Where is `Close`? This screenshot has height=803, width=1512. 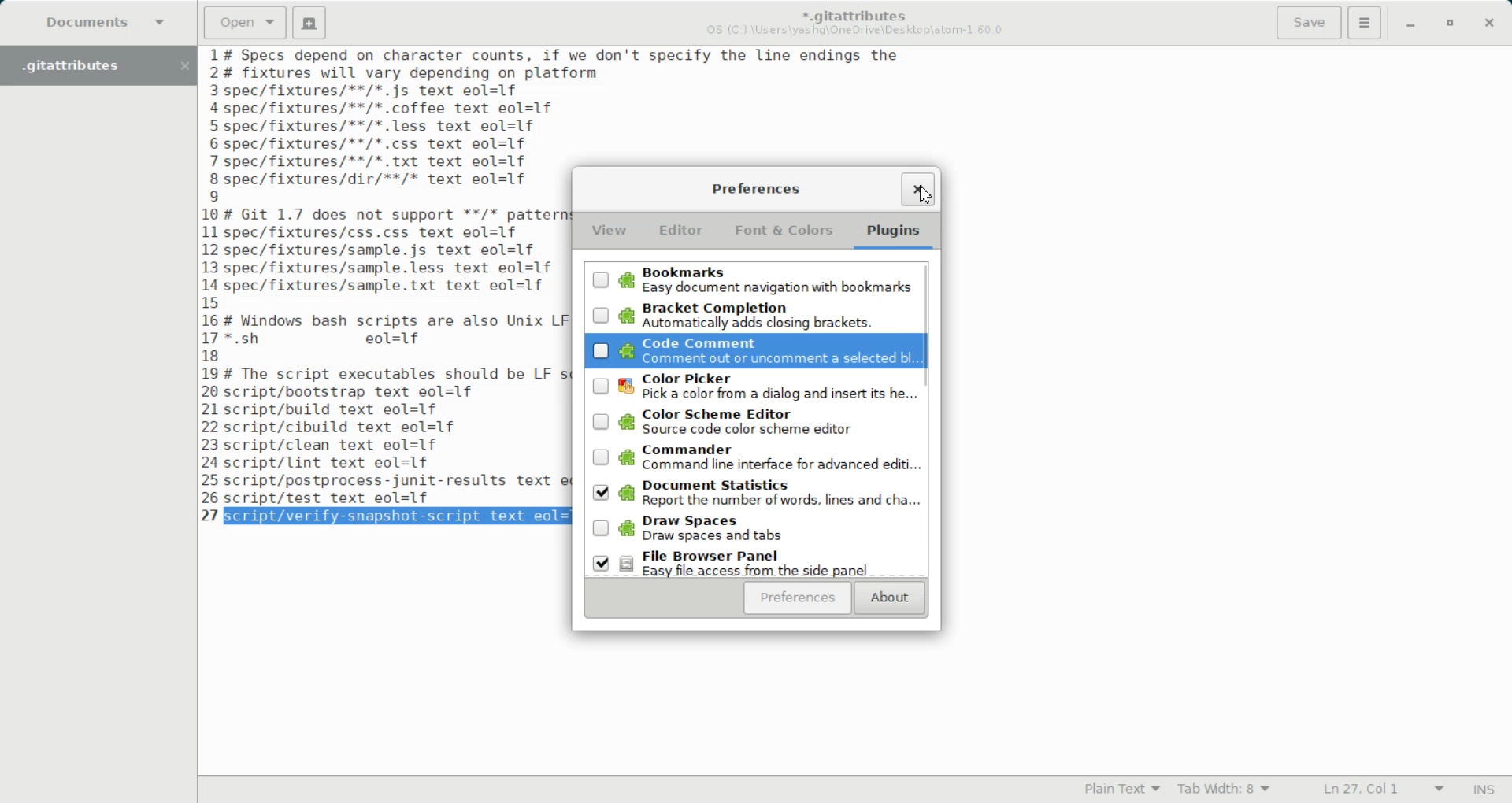
Close is located at coordinates (1489, 24).